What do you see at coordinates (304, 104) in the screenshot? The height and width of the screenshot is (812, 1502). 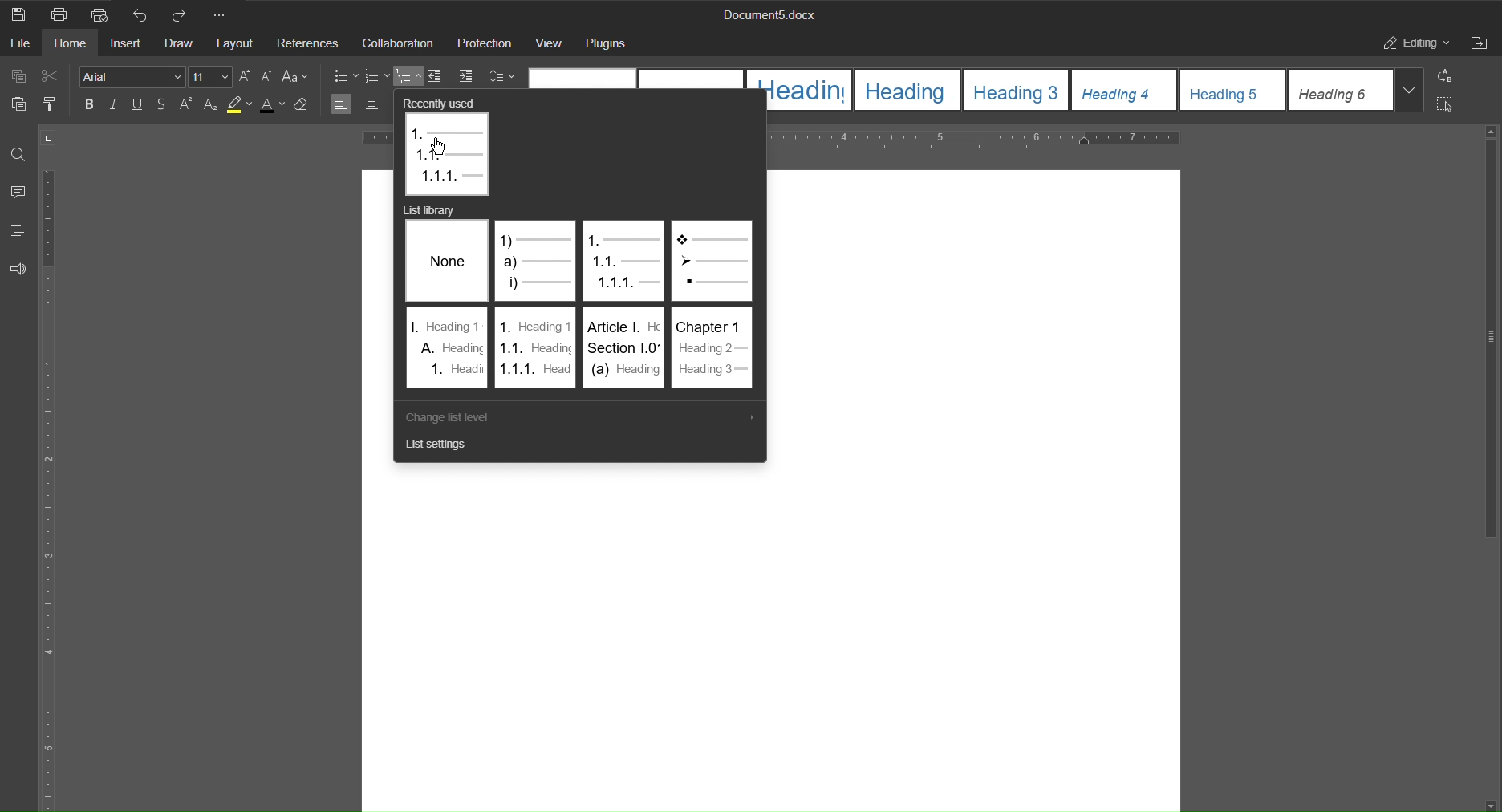 I see `Clear Style` at bounding box center [304, 104].